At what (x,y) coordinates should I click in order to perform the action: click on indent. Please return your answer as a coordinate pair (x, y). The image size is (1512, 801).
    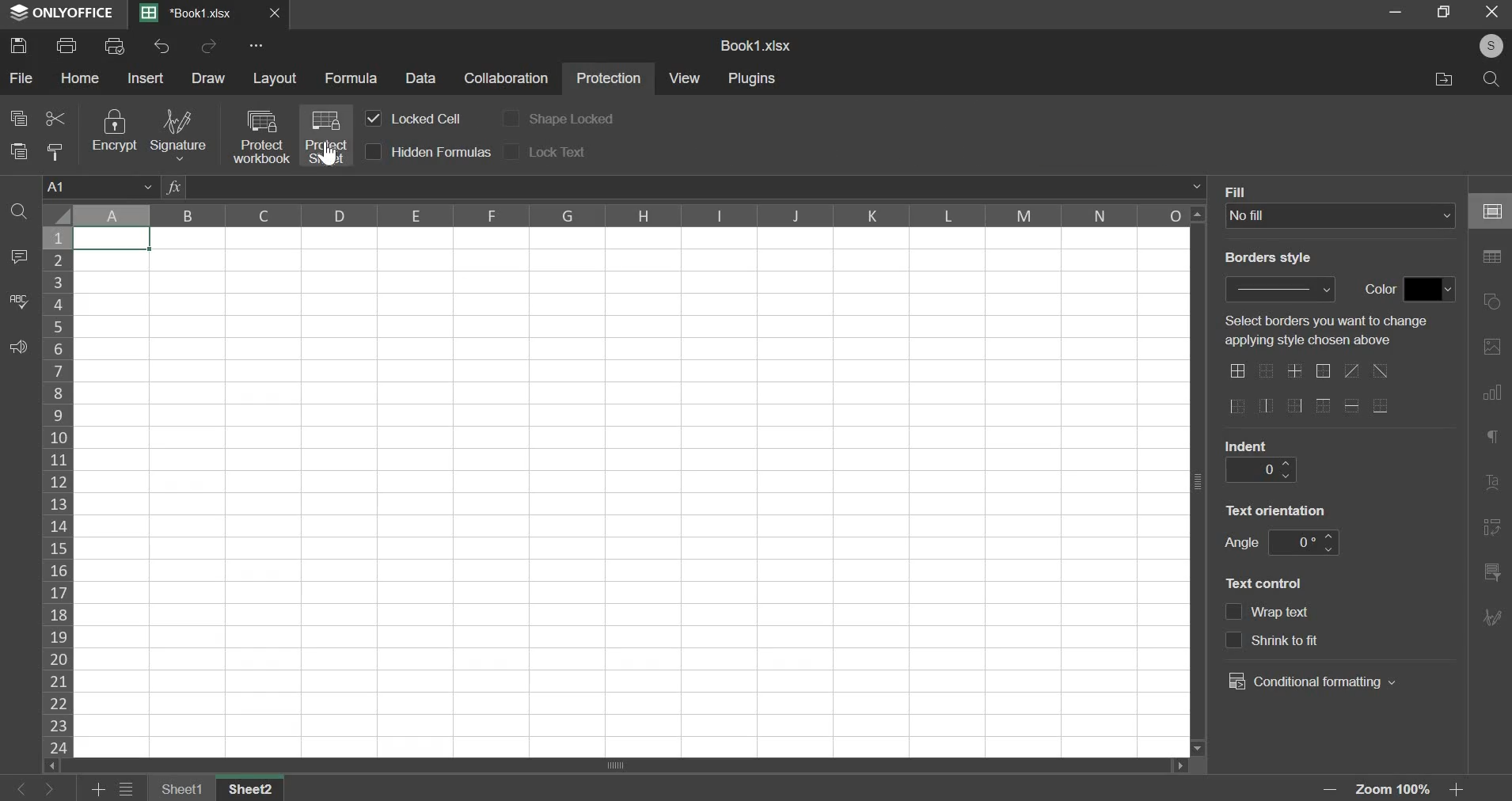
    Looking at the image, I should click on (1246, 445).